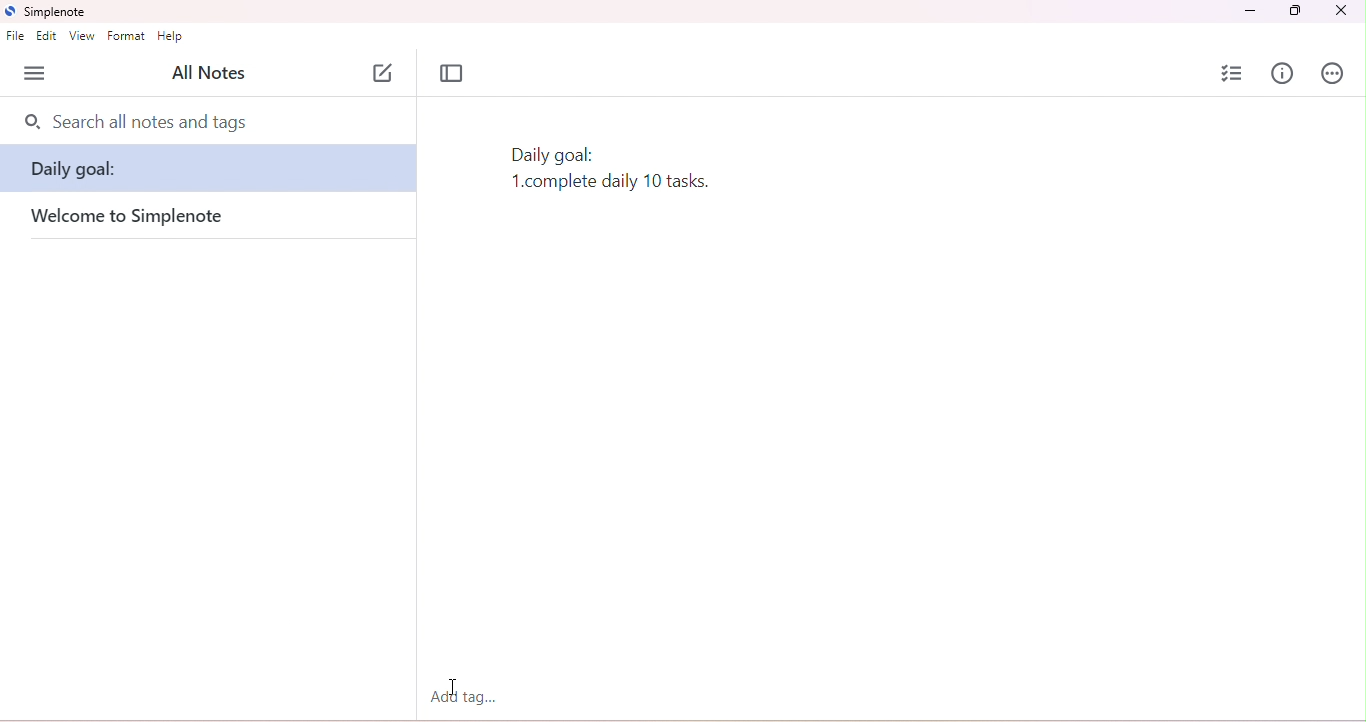 Image resolution: width=1366 pixels, height=722 pixels. Describe the element at coordinates (384, 73) in the screenshot. I see `new note` at that location.